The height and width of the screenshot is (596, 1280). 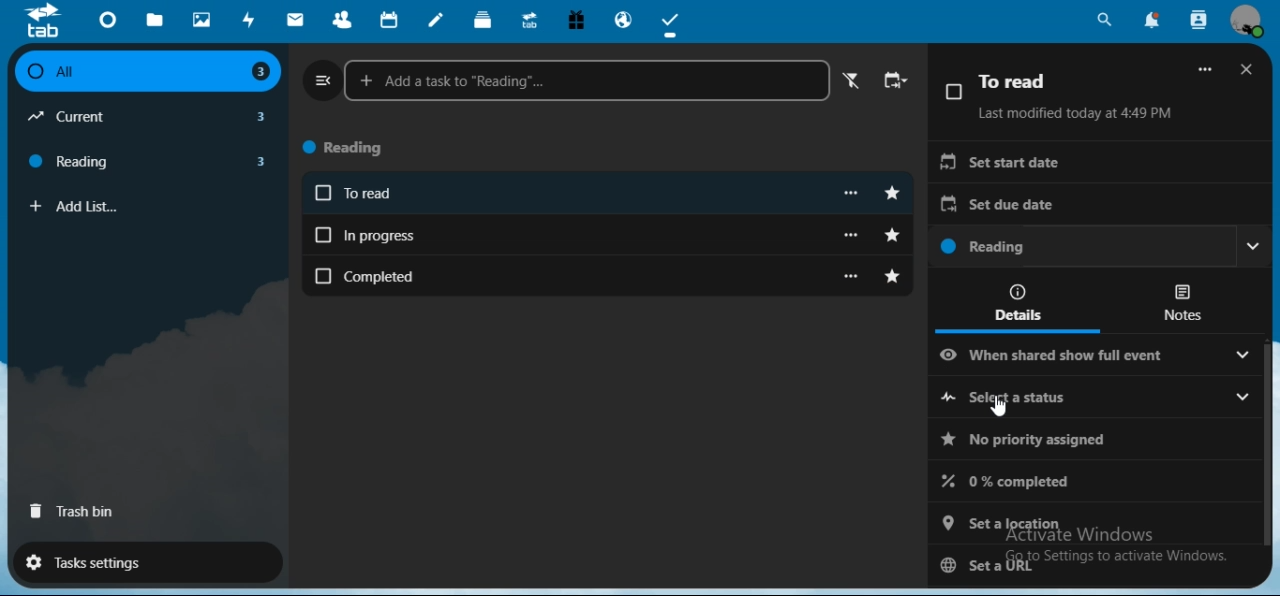 What do you see at coordinates (353, 149) in the screenshot?
I see `reading` at bounding box center [353, 149].